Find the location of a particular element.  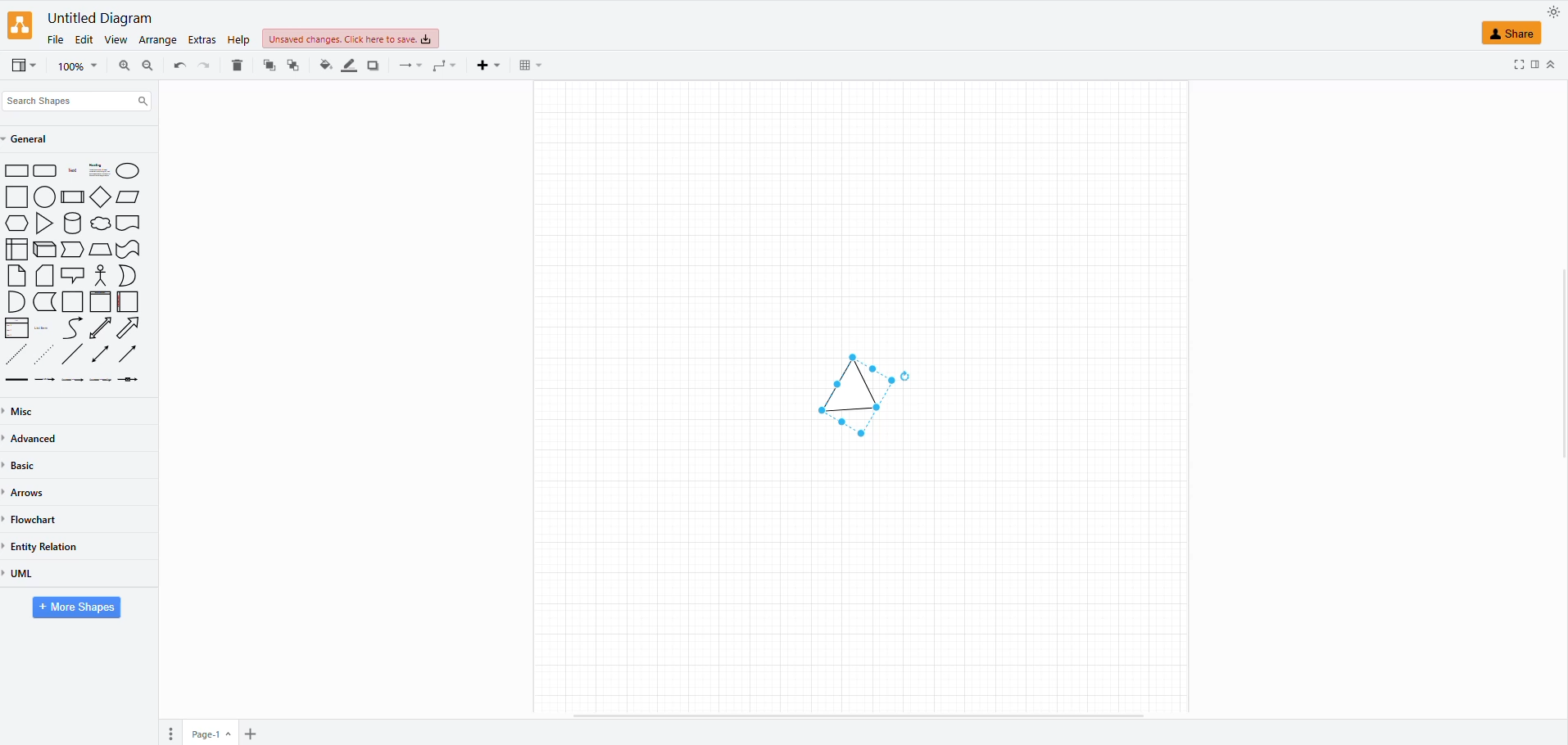

Subtitle is located at coordinates (100, 170).